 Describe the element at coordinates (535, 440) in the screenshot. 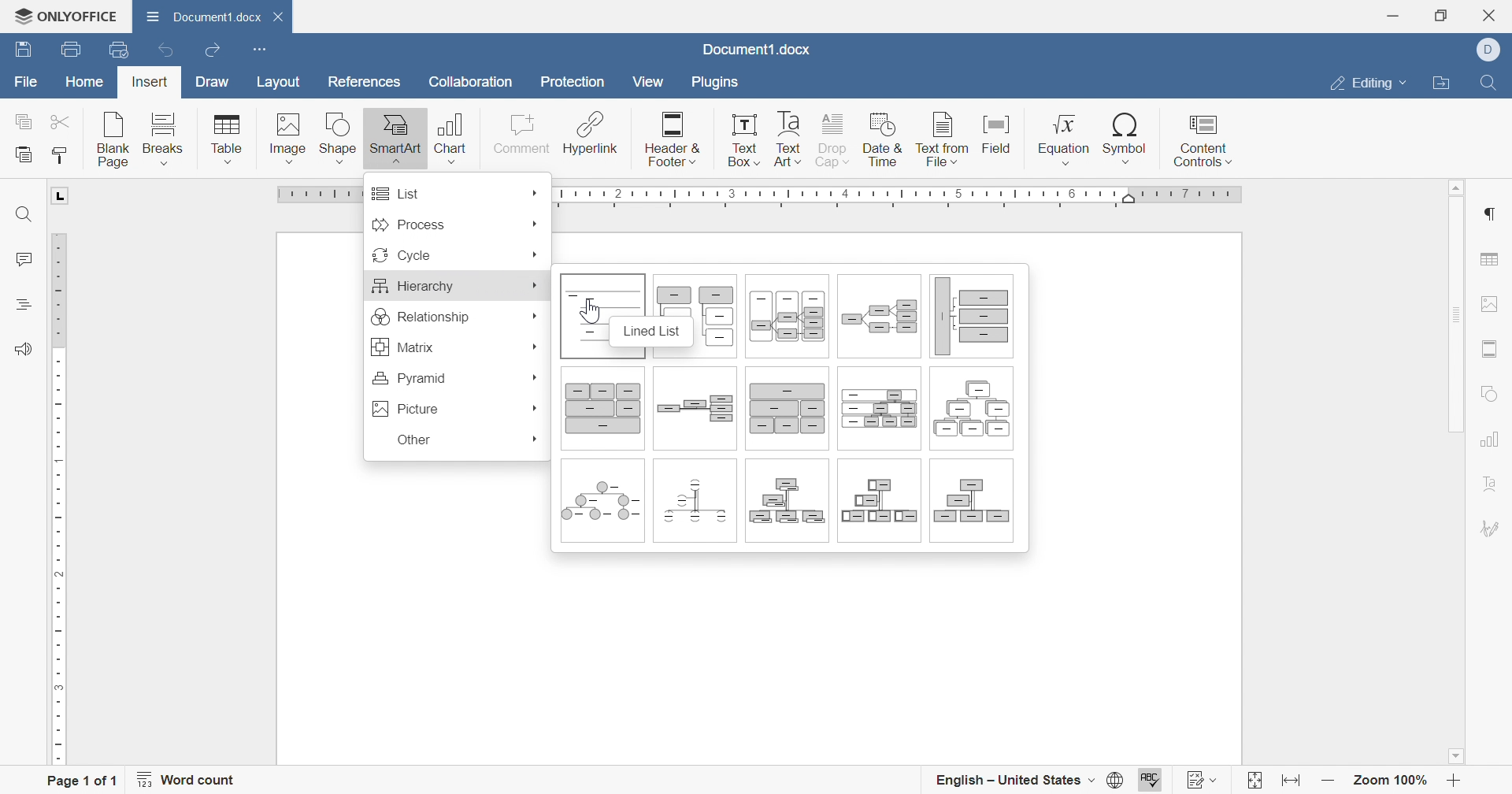

I see `More` at that location.